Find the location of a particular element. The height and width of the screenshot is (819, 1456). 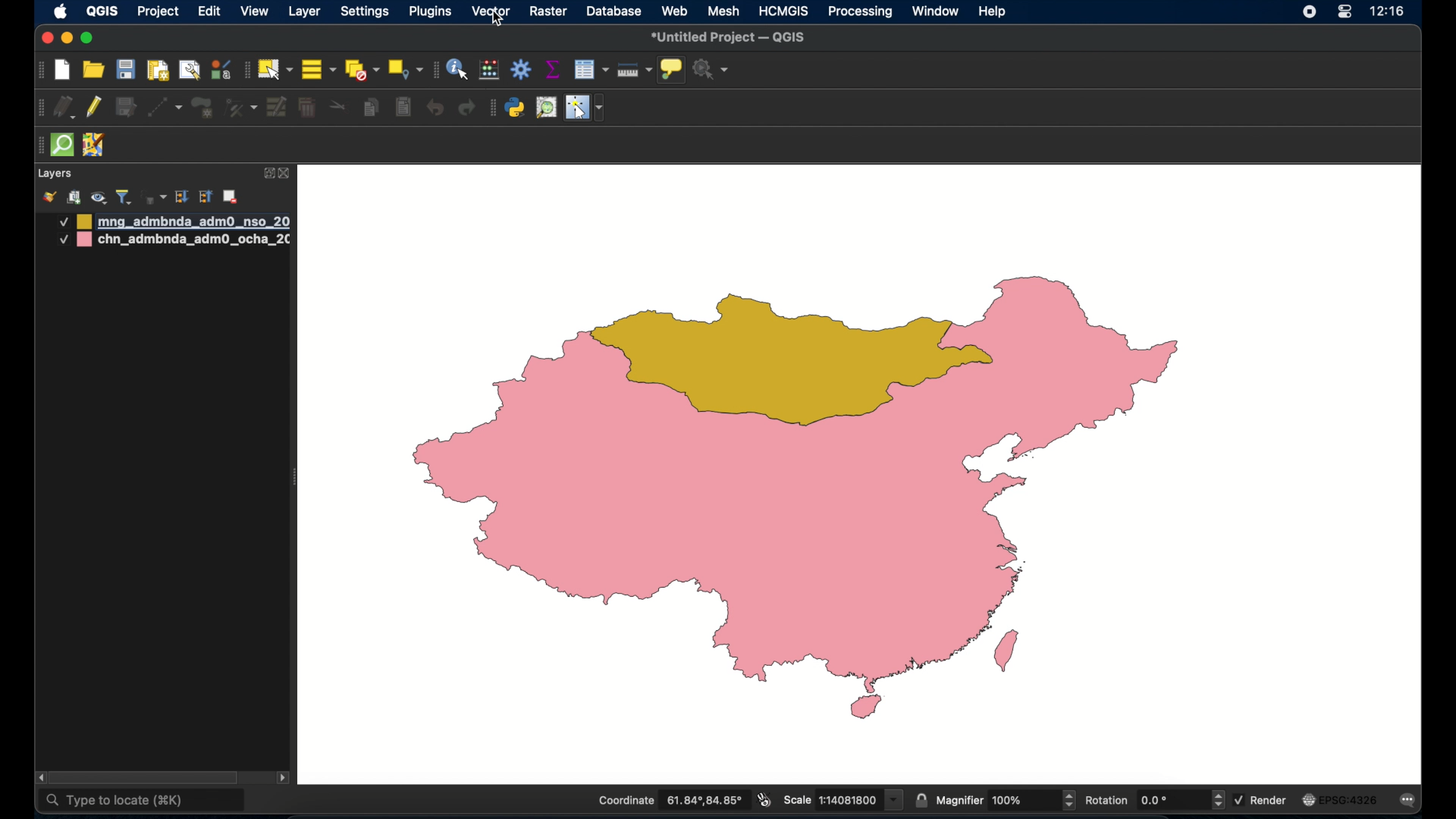

deselect all features is located at coordinates (362, 71).